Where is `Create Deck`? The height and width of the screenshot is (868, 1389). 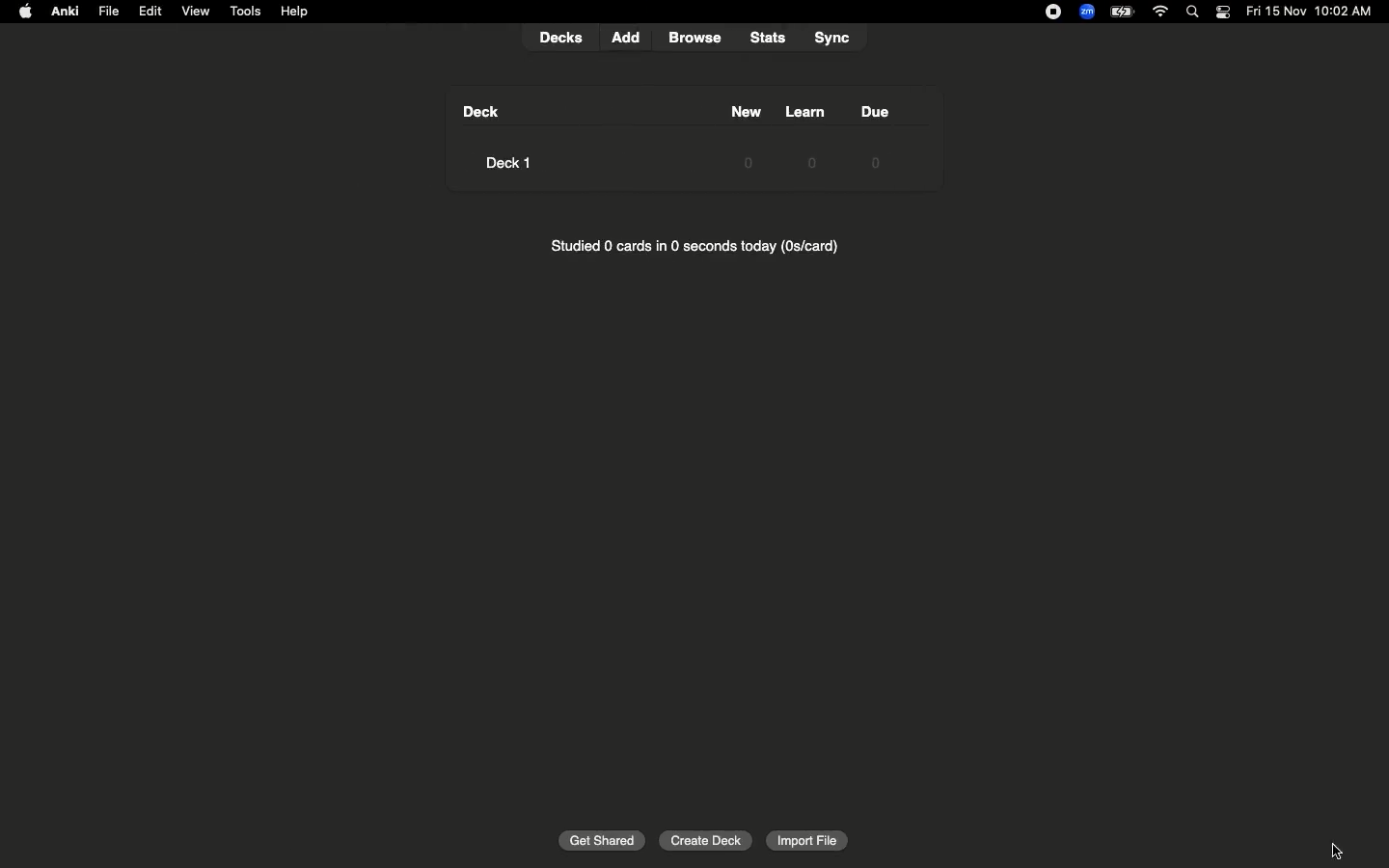
Create Deck is located at coordinates (708, 839).